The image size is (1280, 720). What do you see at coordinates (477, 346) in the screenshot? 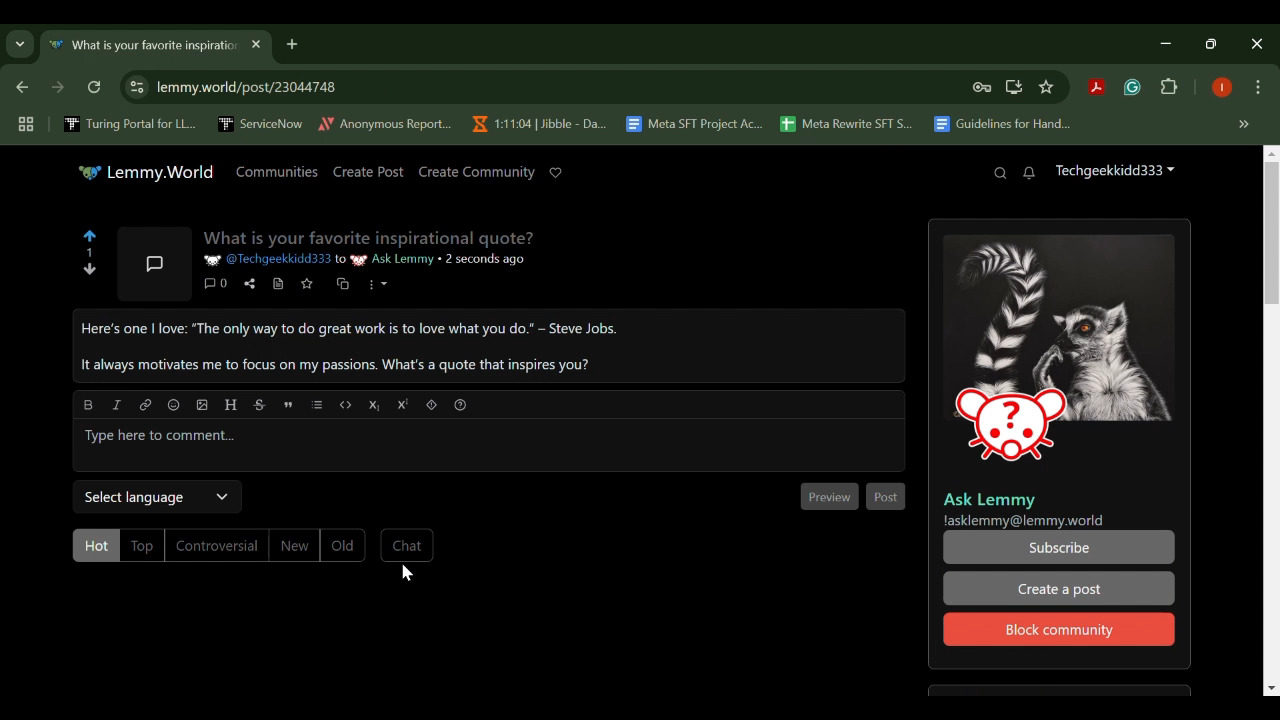
I see `Here's one | love: “The only way to do great work is to love what you do.” ~ Steve Jobs. It always motivates me to focus on my passions. What's a quote that inspires you?` at bounding box center [477, 346].